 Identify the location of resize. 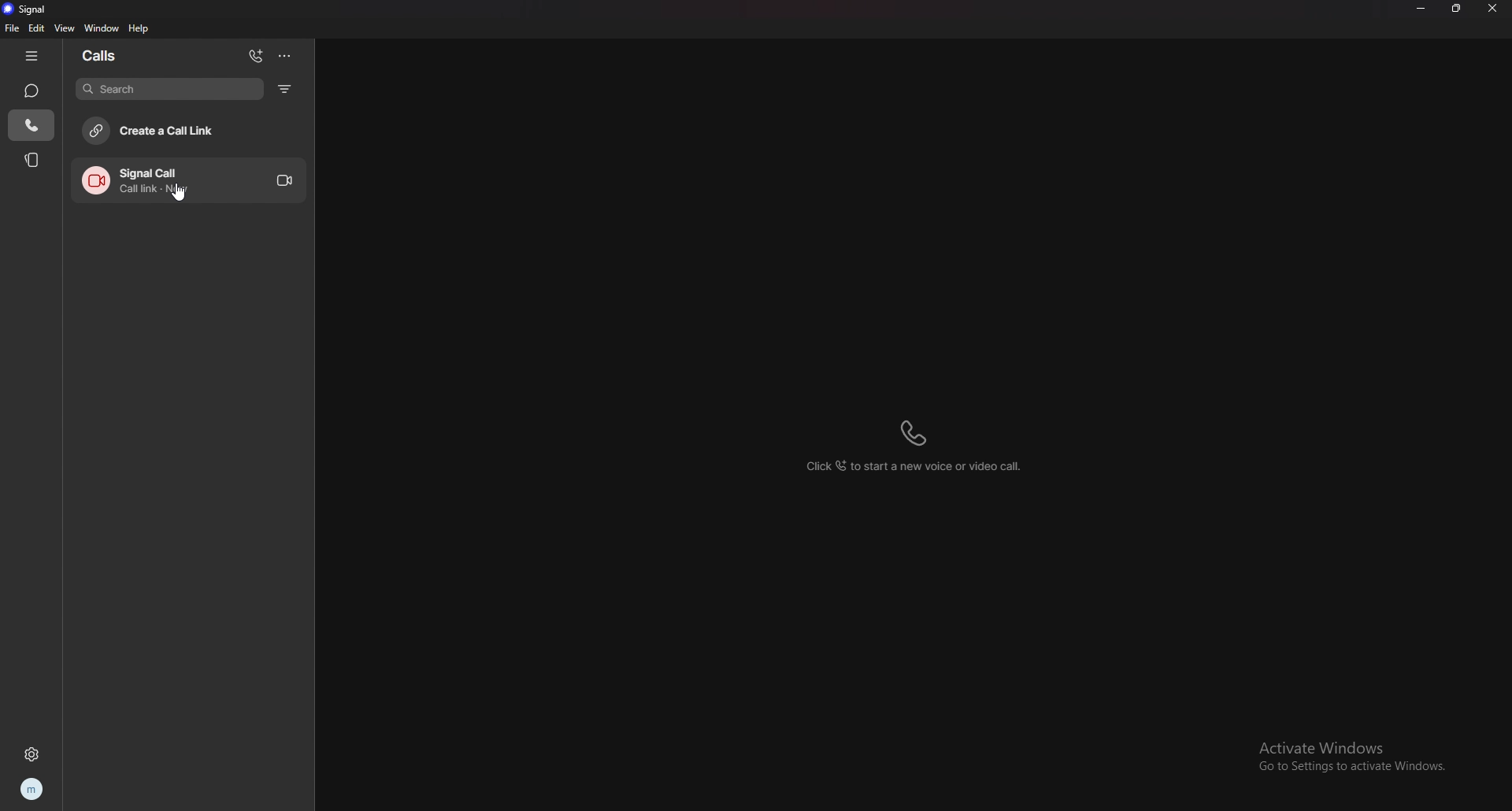
(1458, 8).